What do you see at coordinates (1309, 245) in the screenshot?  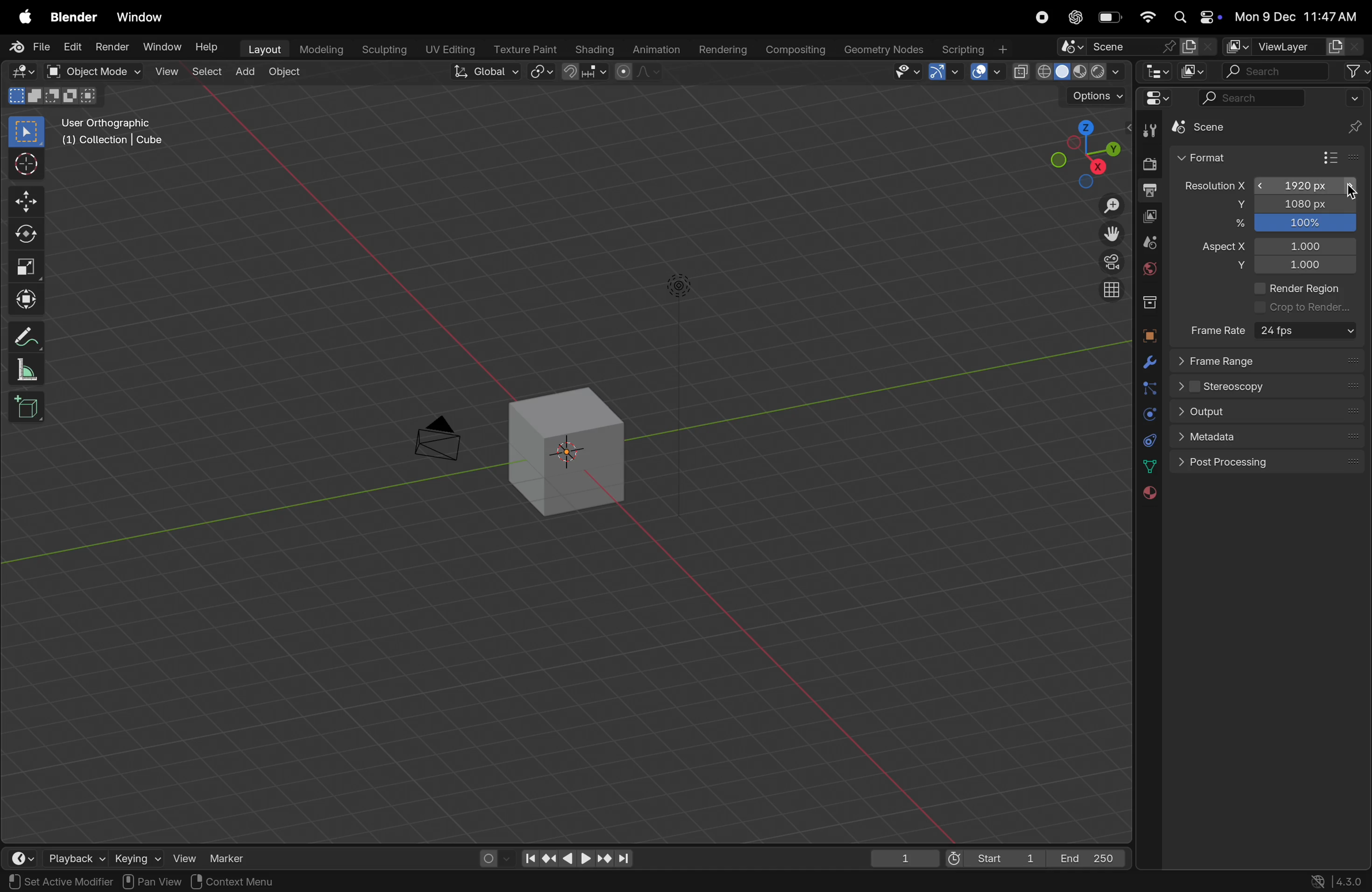 I see `1` at bounding box center [1309, 245].